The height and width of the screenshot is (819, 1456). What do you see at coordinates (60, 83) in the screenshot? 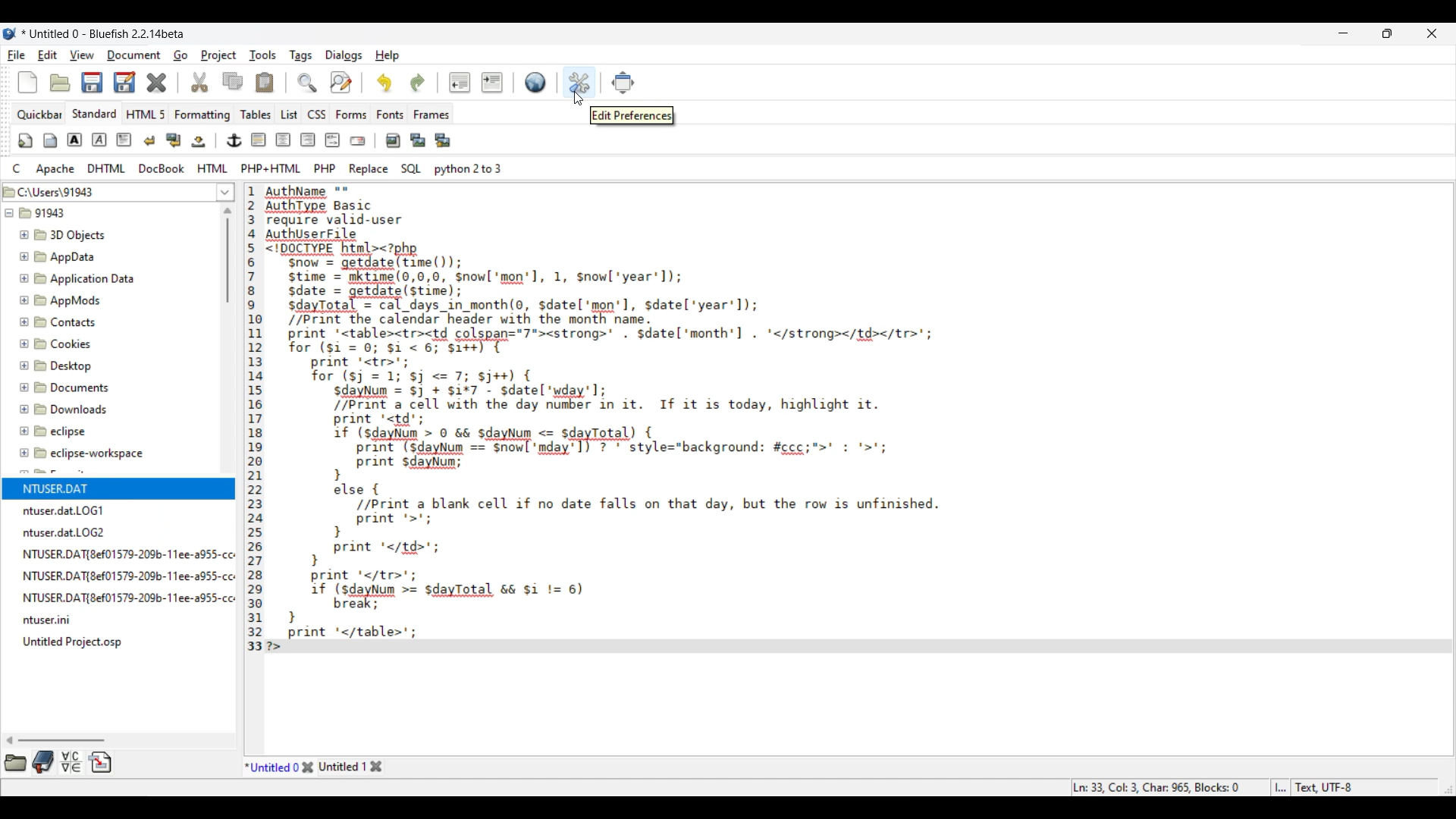
I see `Open` at bounding box center [60, 83].